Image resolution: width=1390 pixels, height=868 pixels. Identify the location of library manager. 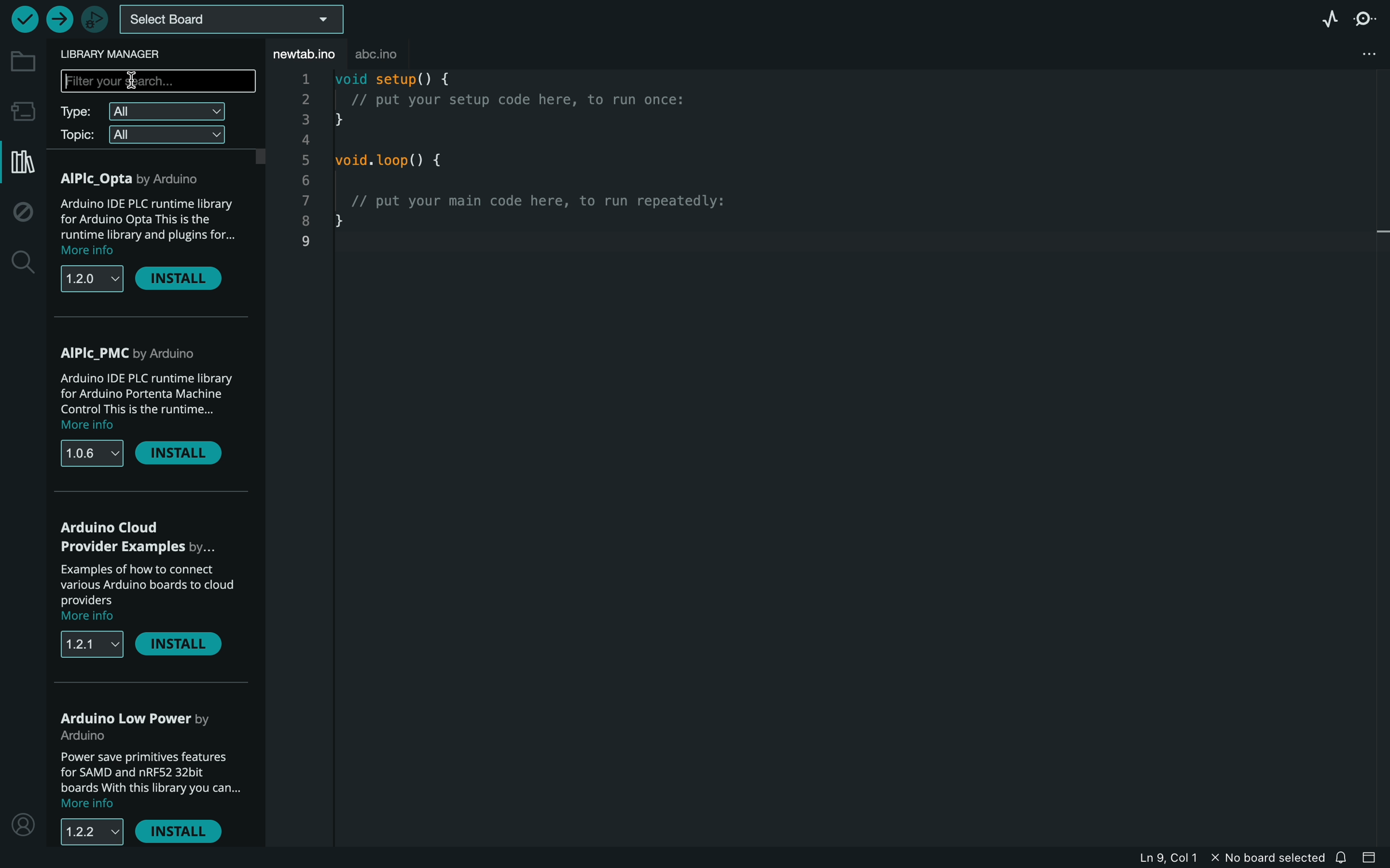
(120, 54).